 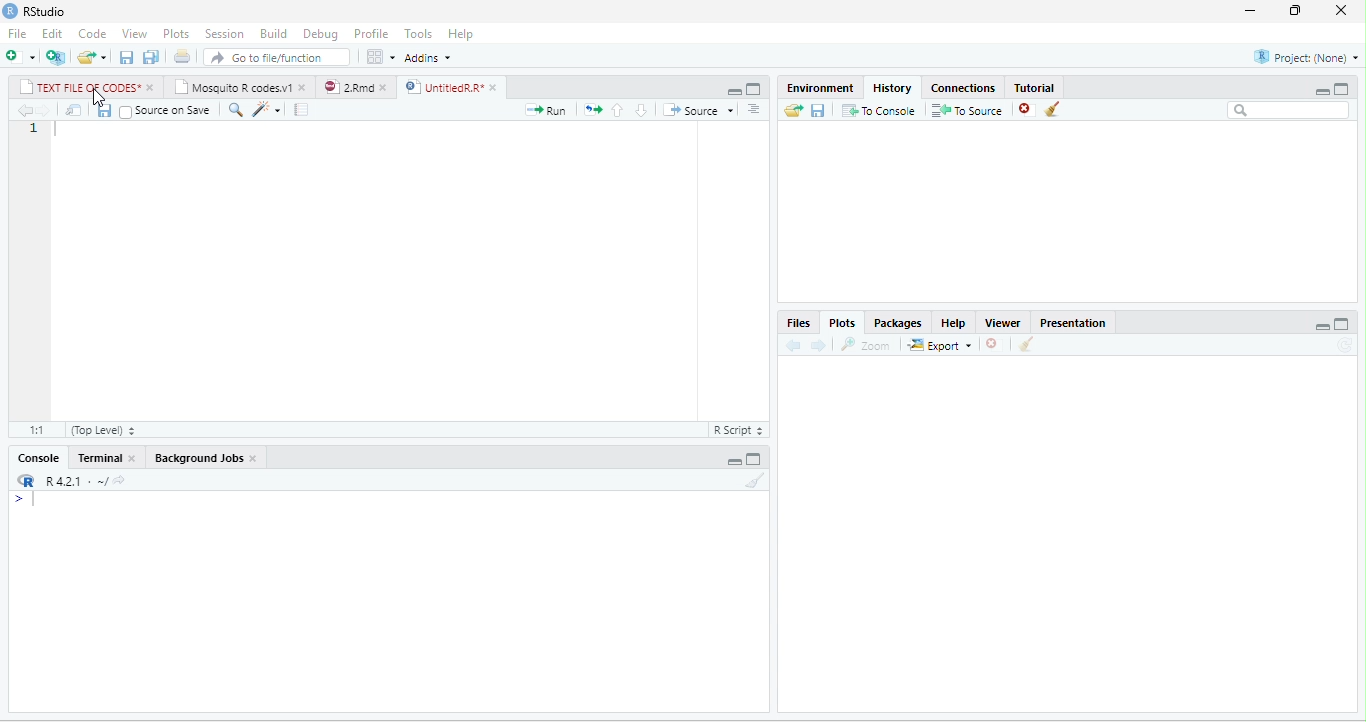 What do you see at coordinates (496, 88) in the screenshot?
I see `close` at bounding box center [496, 88].